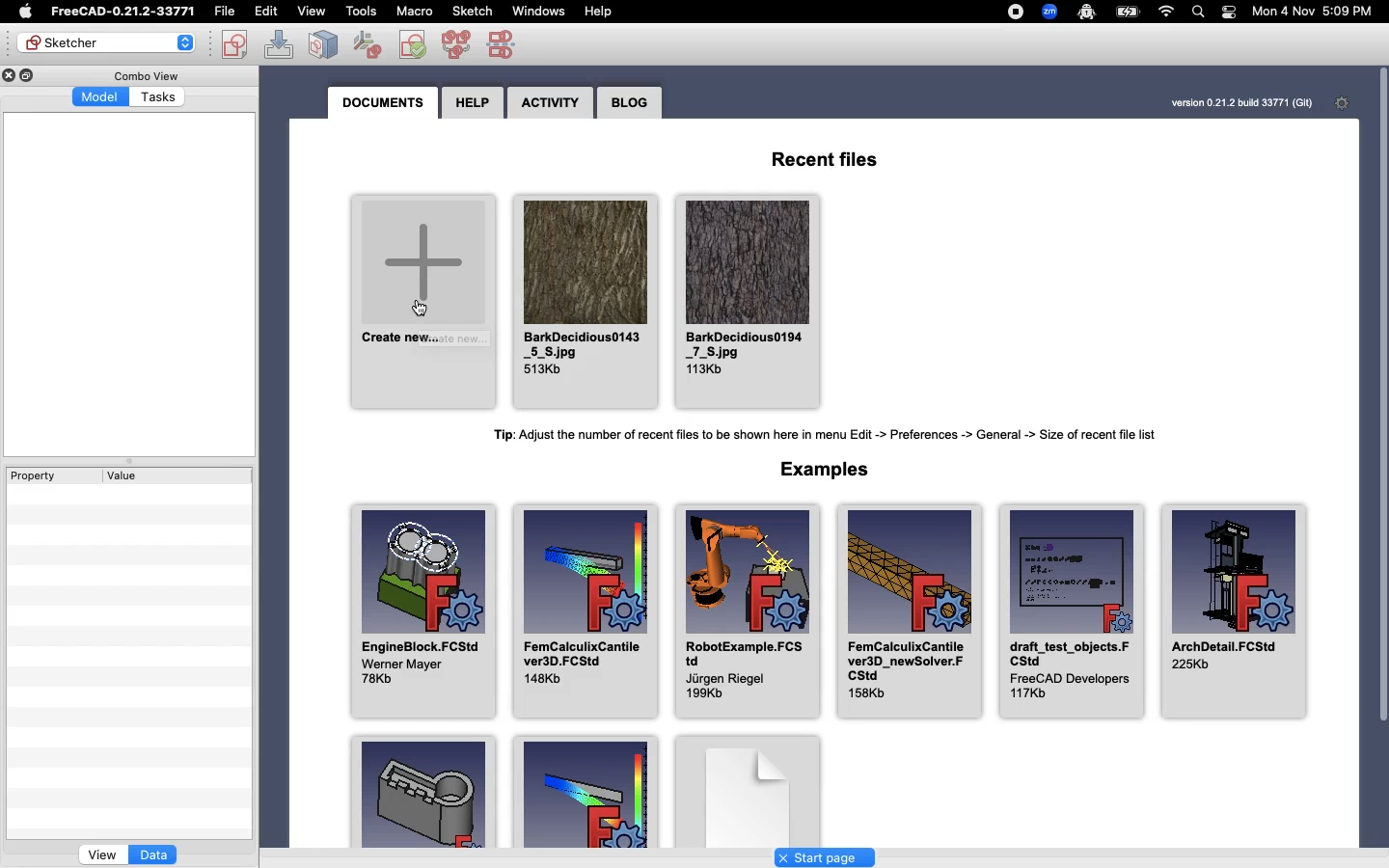 This screenshot has width=1389, height=868. What do you see at coordinates (833, 473) in the screenshot?
I see `Example` at bounding box center [833, 473].